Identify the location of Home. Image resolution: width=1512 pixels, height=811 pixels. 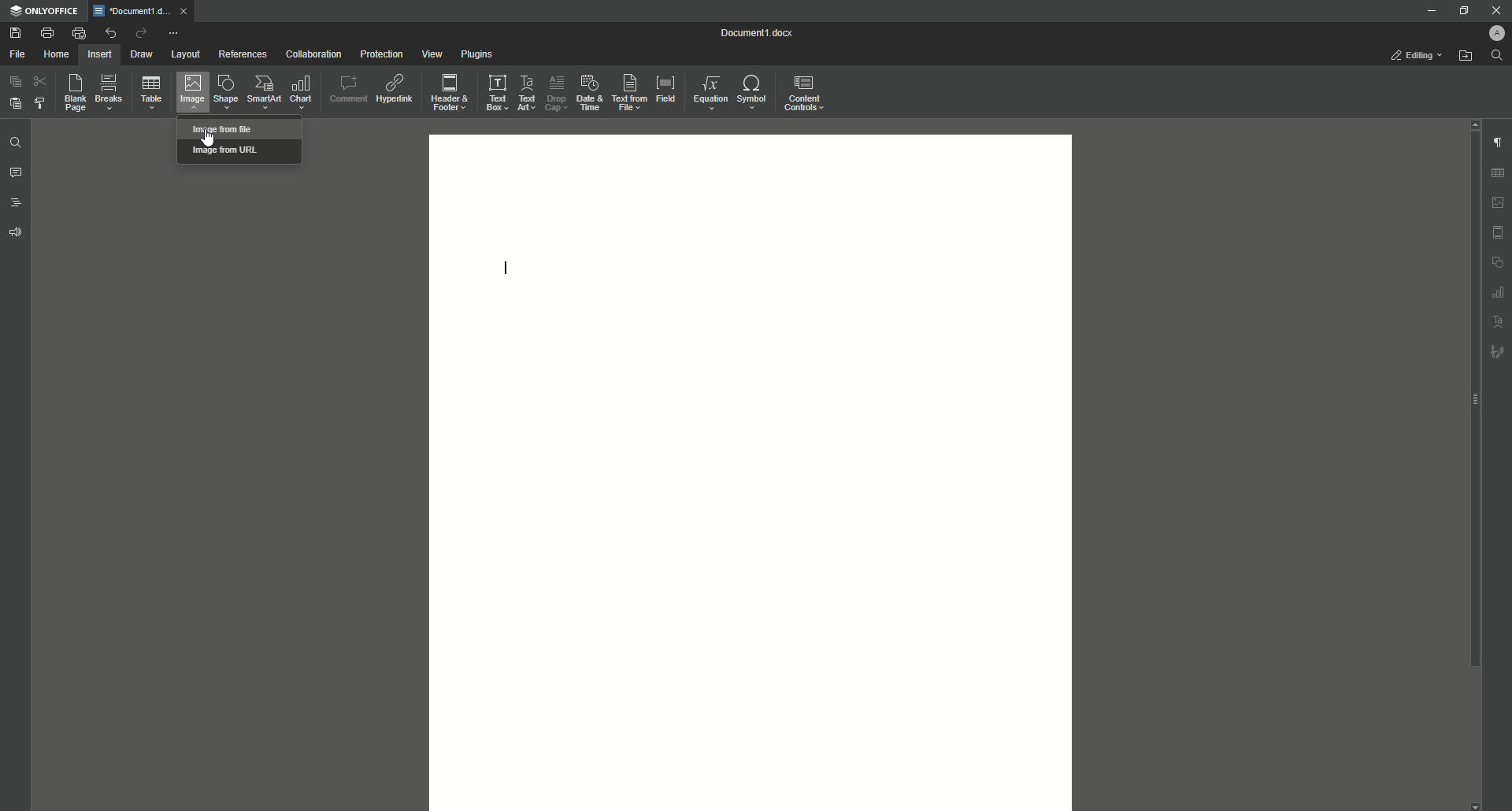
(57, 55).